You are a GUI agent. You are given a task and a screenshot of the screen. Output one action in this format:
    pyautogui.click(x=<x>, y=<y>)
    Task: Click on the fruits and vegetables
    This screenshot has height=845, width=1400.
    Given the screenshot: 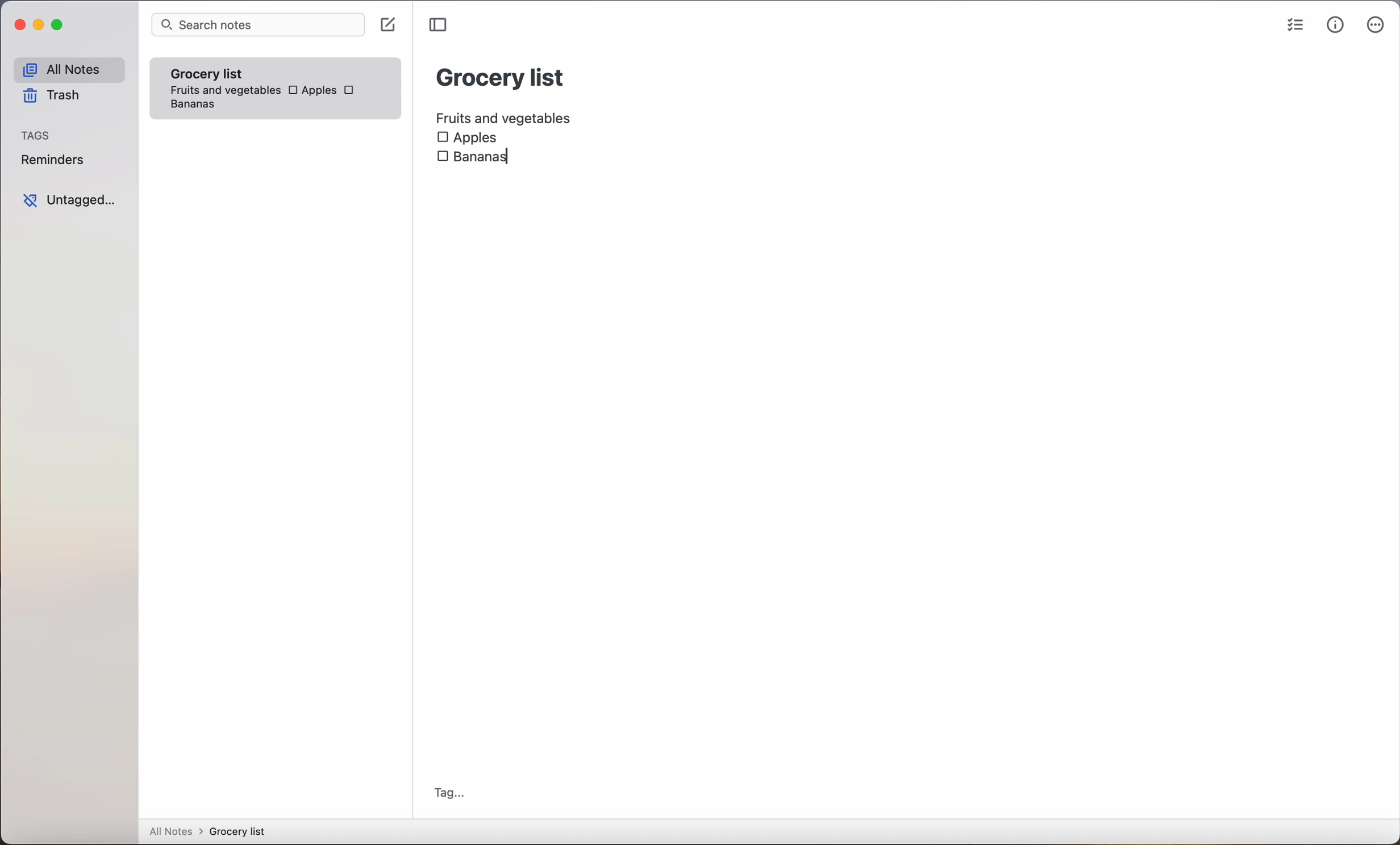 What is the action you would take?
    pyautogui.click(x=509, y=115)
    